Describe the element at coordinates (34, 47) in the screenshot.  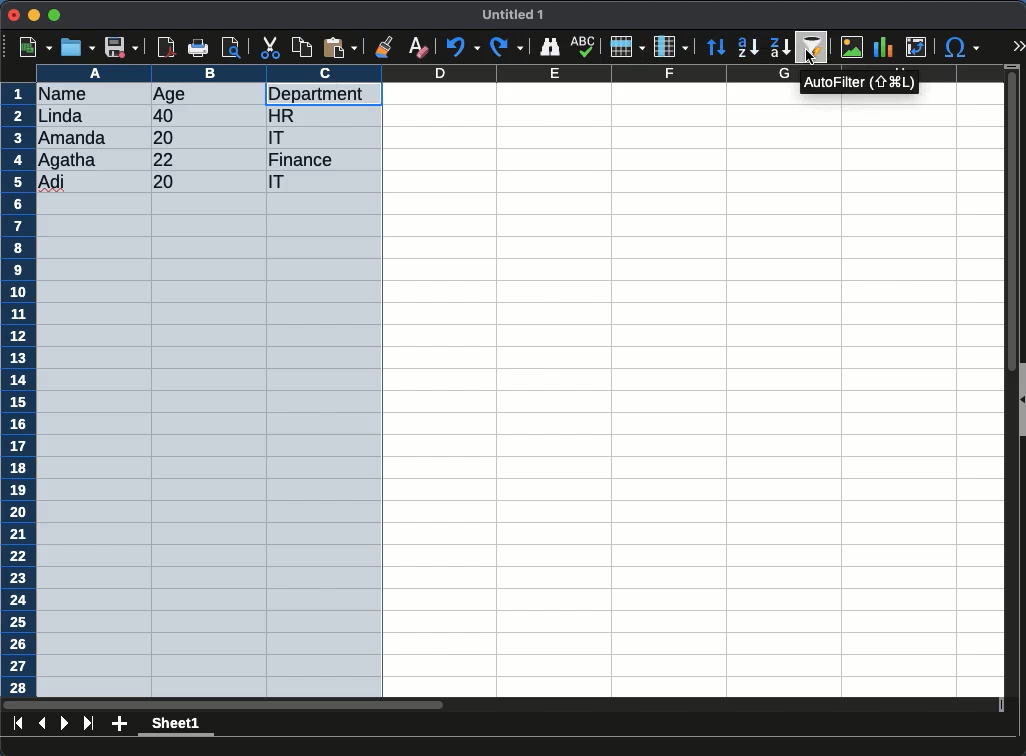
I see `new` at that location.